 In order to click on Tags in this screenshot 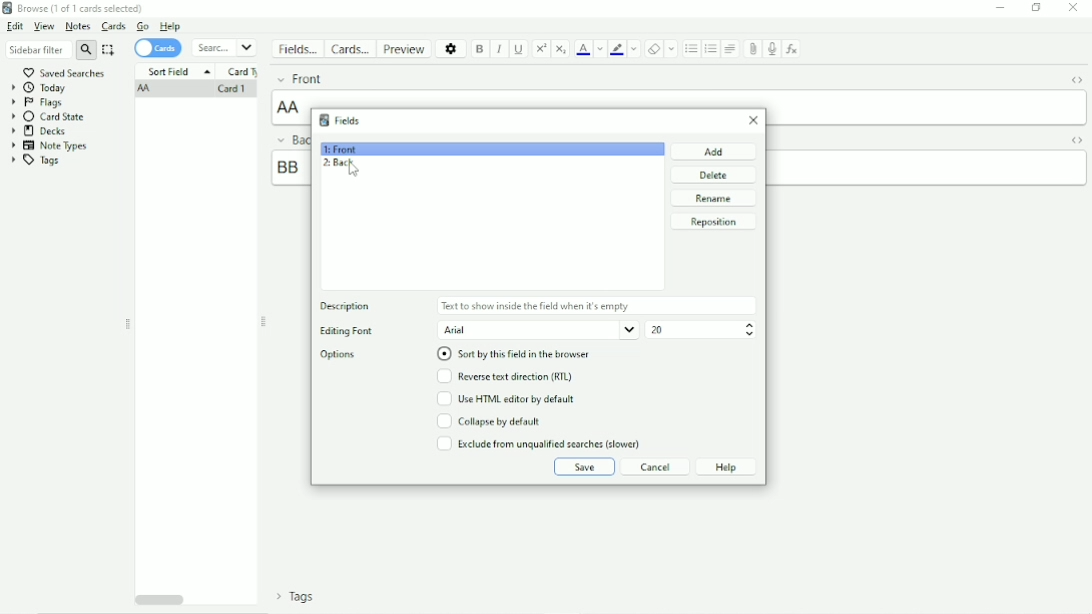, I will do `click(35, 161)`.